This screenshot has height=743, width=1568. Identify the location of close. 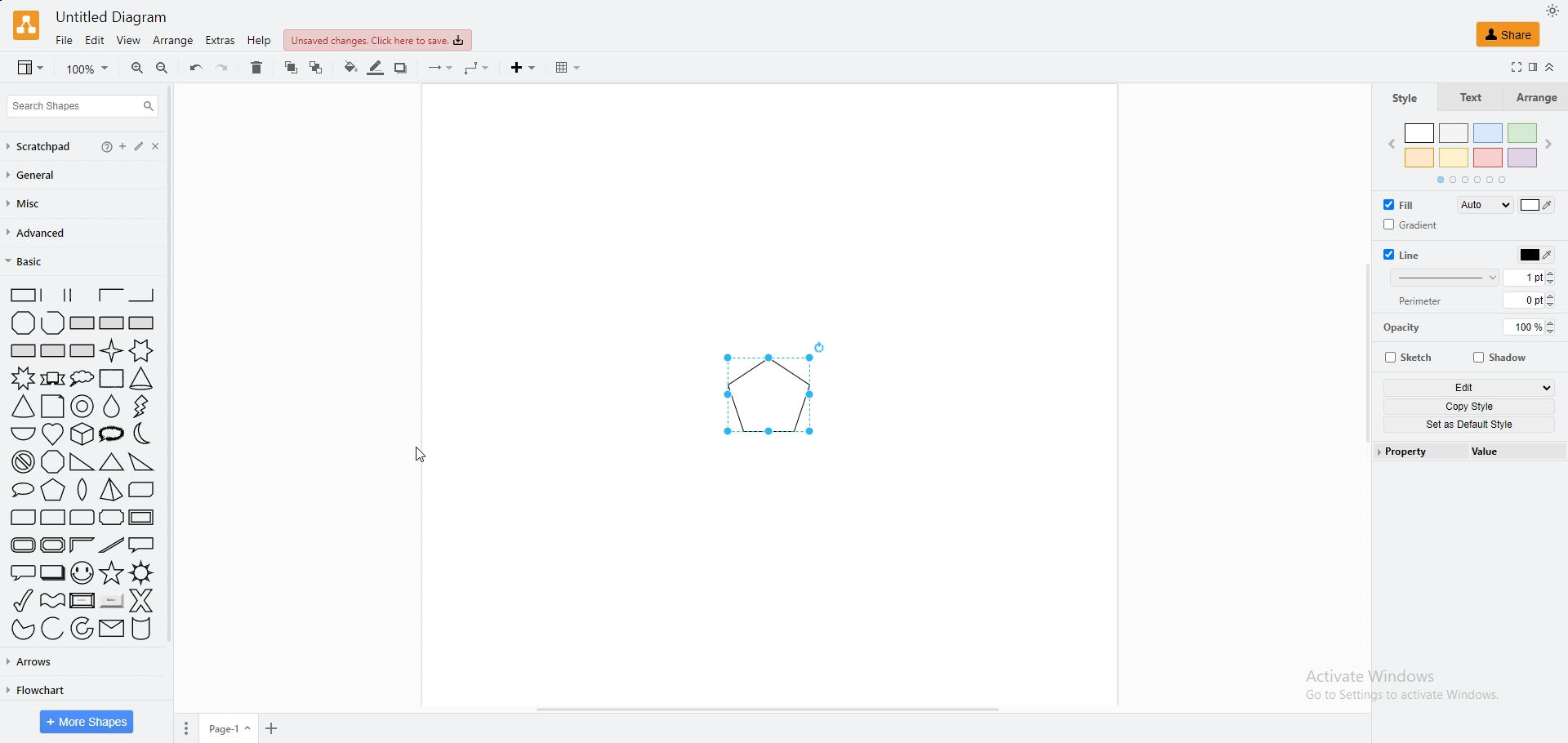
(171, 146).